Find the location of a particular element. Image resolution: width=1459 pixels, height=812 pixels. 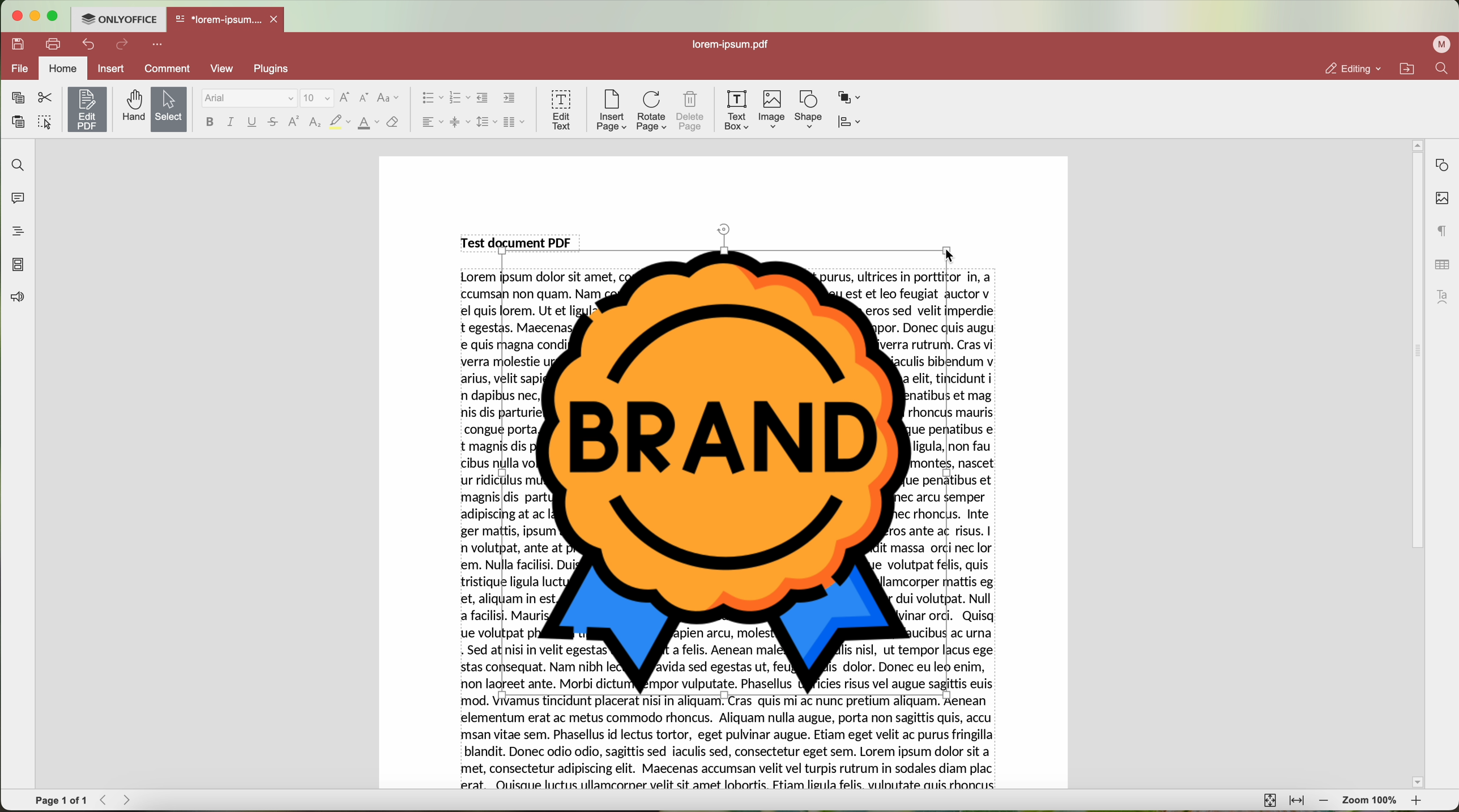

delete page is located at coordinates (691, 113).